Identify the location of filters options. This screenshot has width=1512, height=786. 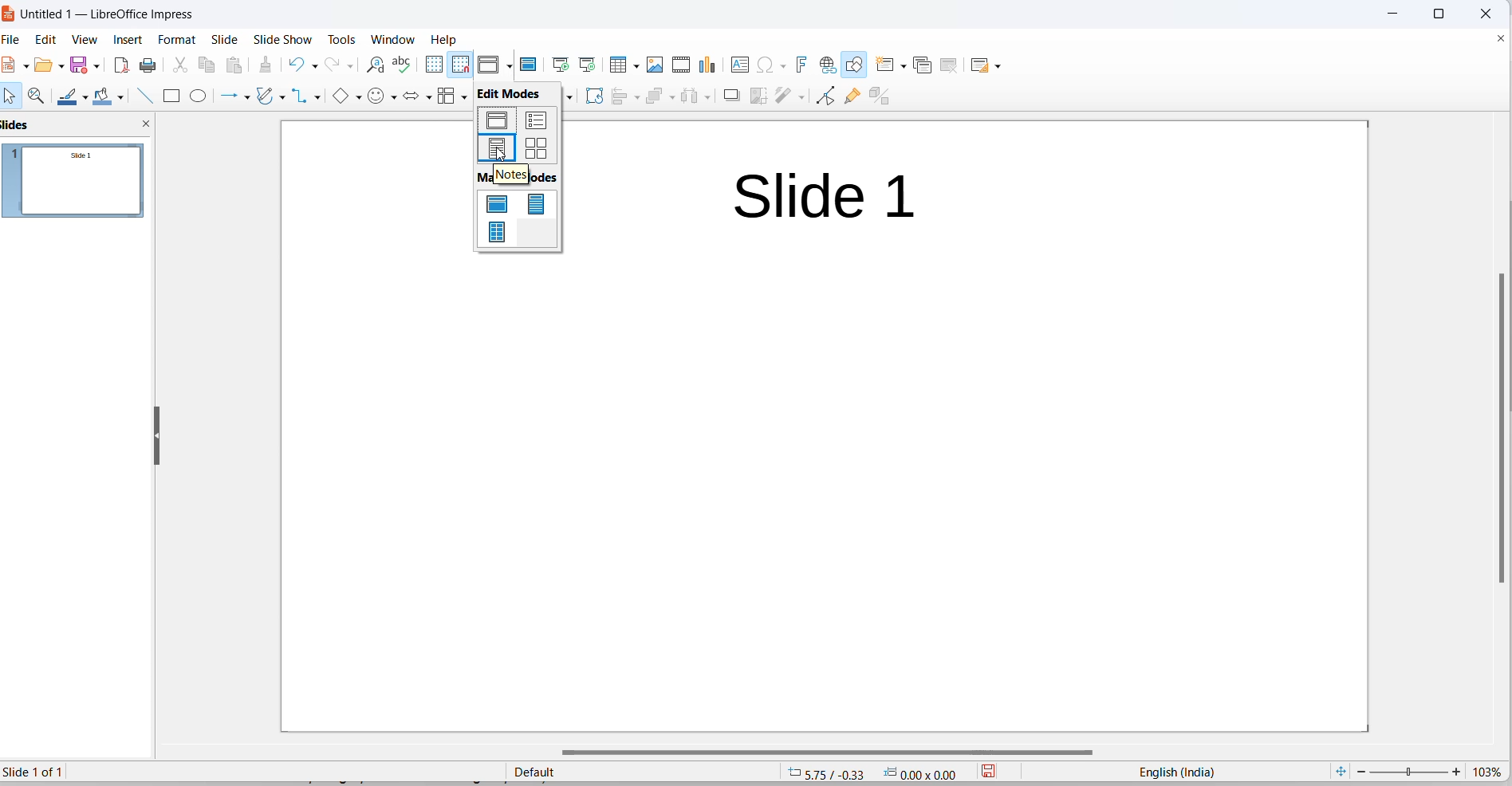
(800, 98).